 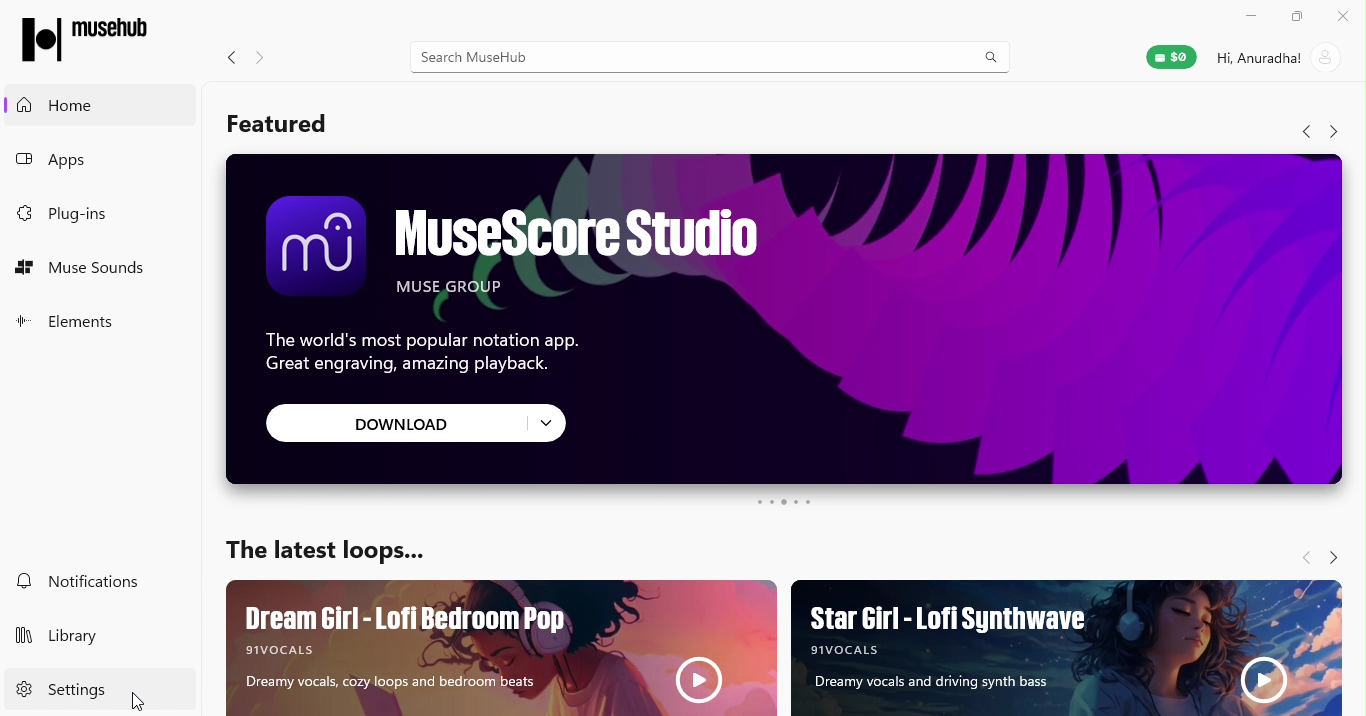 What do you see at coordinates (1333, 131) in the screenshot?
I see `Navigate forward` at bounding box center [1333, 131].